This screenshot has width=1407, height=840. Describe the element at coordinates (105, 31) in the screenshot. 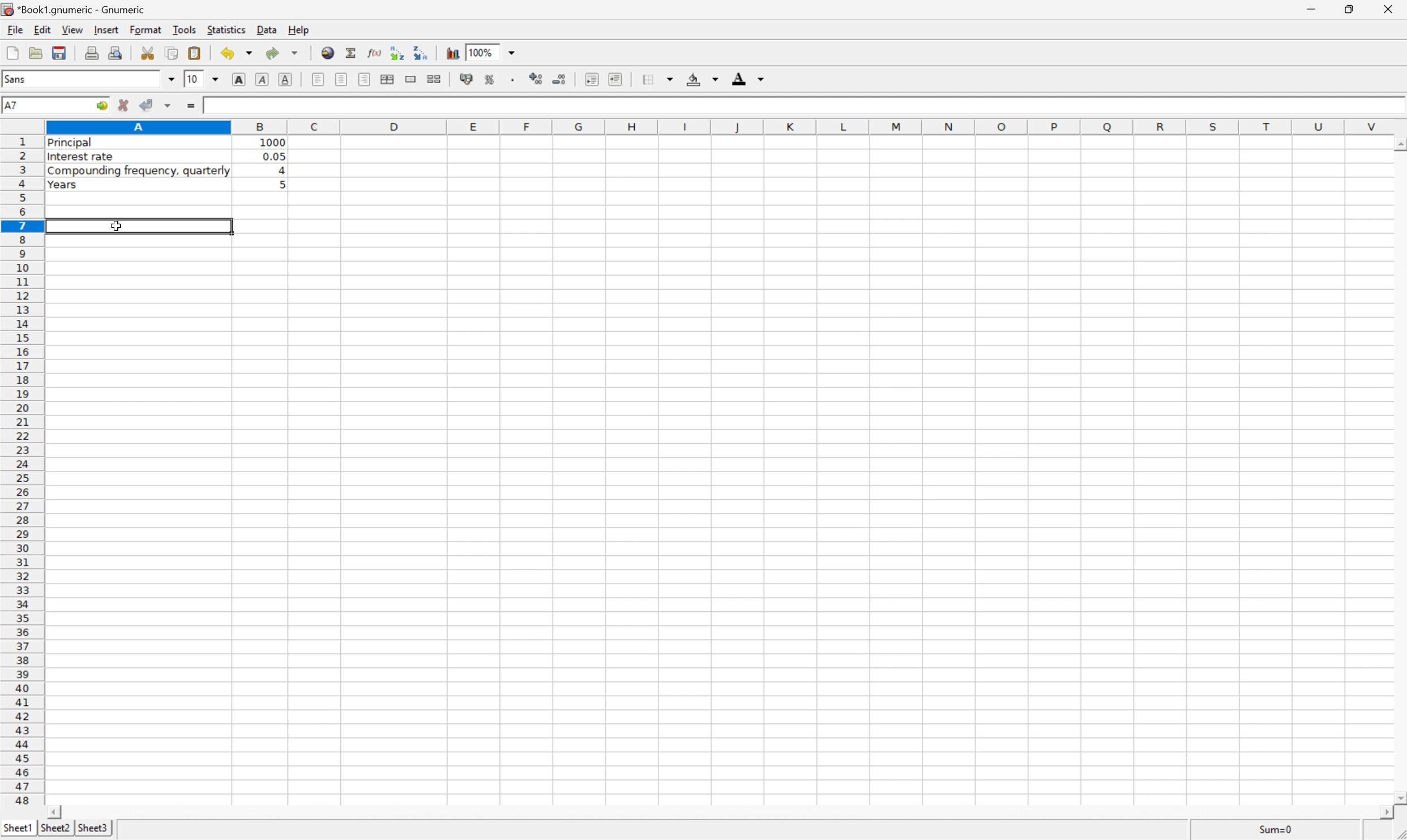

I see `insert` at that location.